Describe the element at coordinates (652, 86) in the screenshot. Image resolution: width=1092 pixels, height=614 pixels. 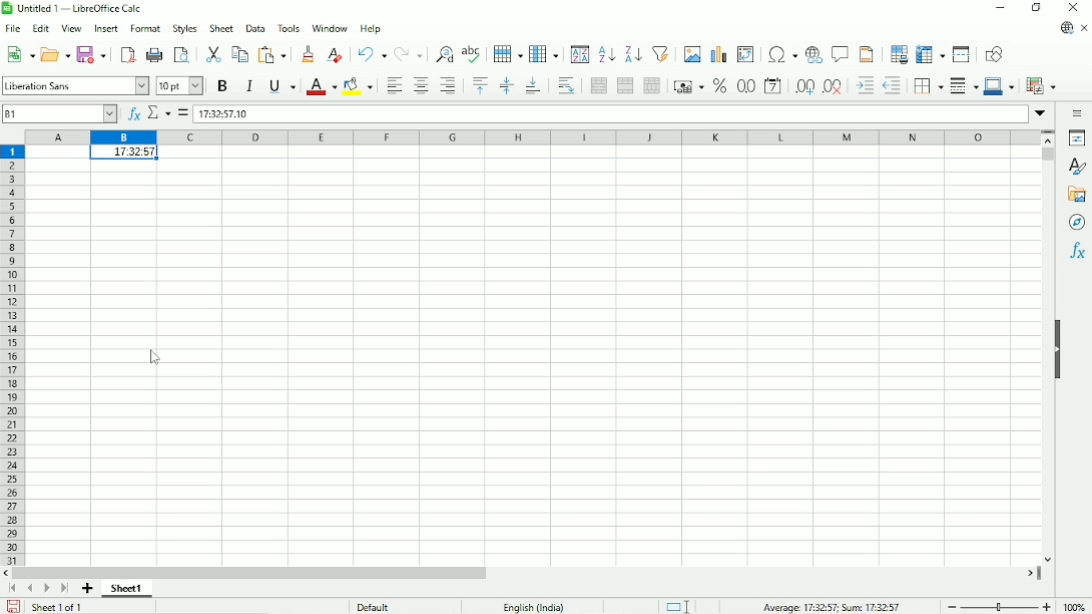
I see `Unmerge cells` at that location.